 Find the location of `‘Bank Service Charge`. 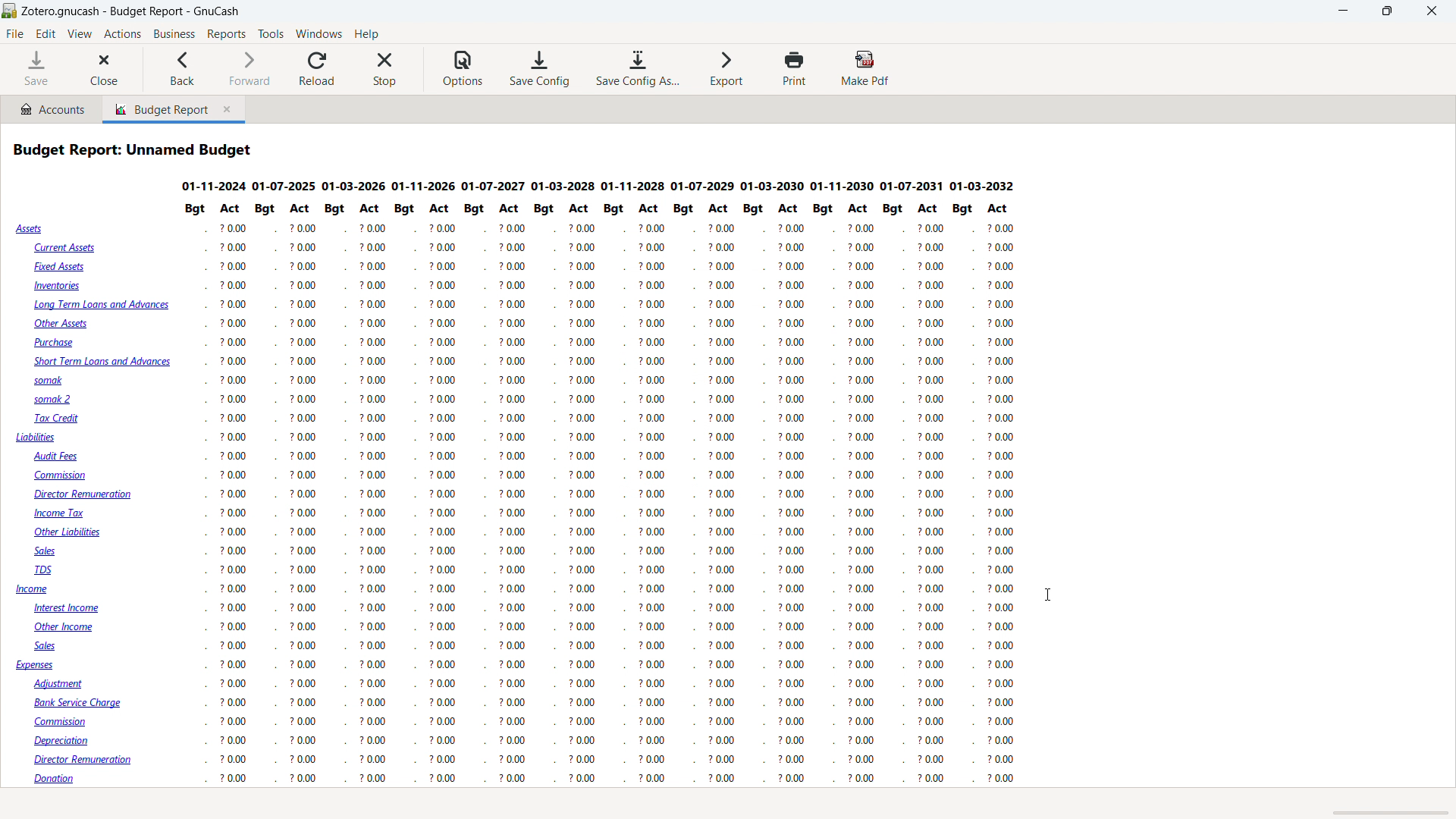

‘Bank Service Charge is located at coordinates (81, 701).